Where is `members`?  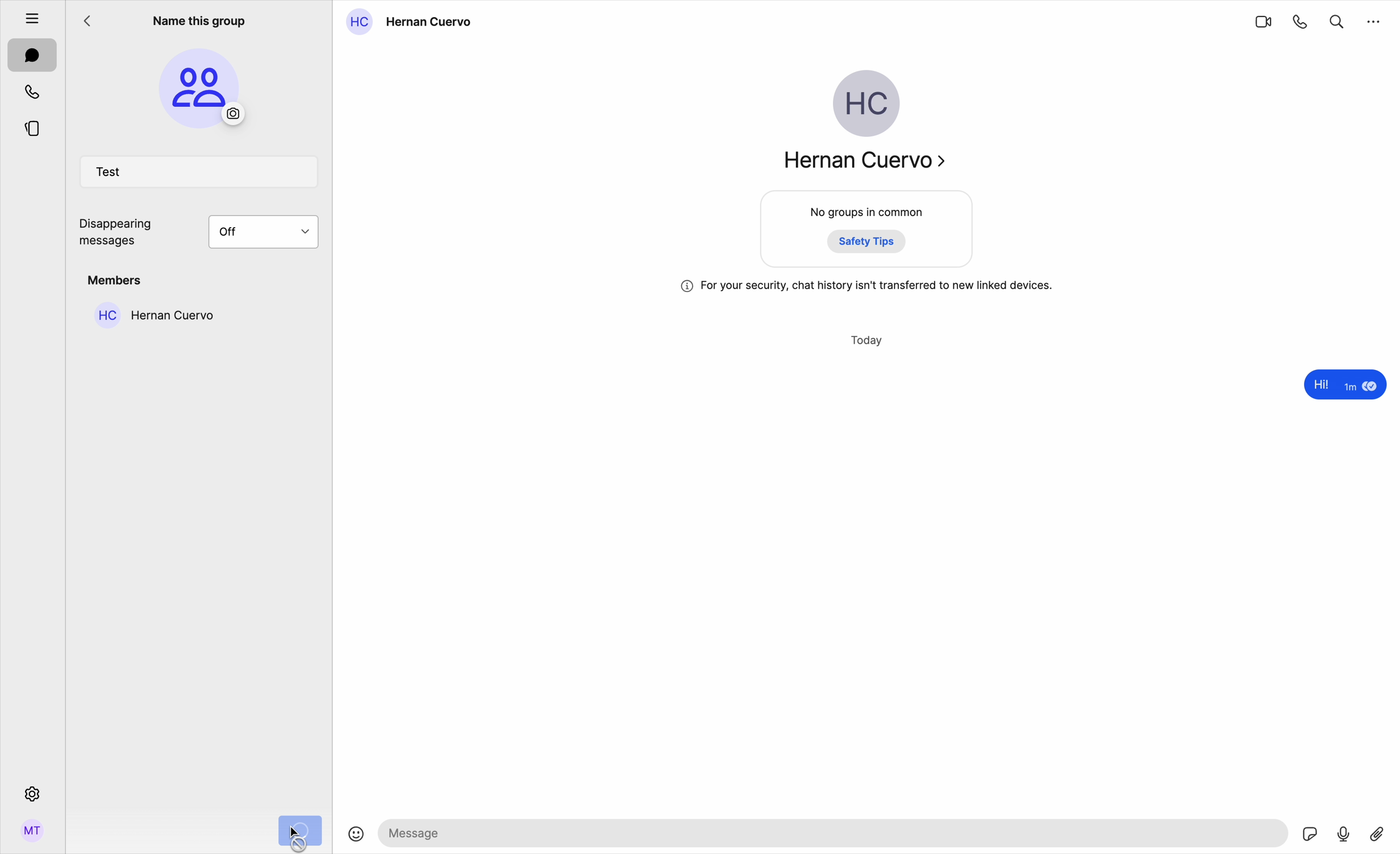
members is located at coordinates (117, 280).